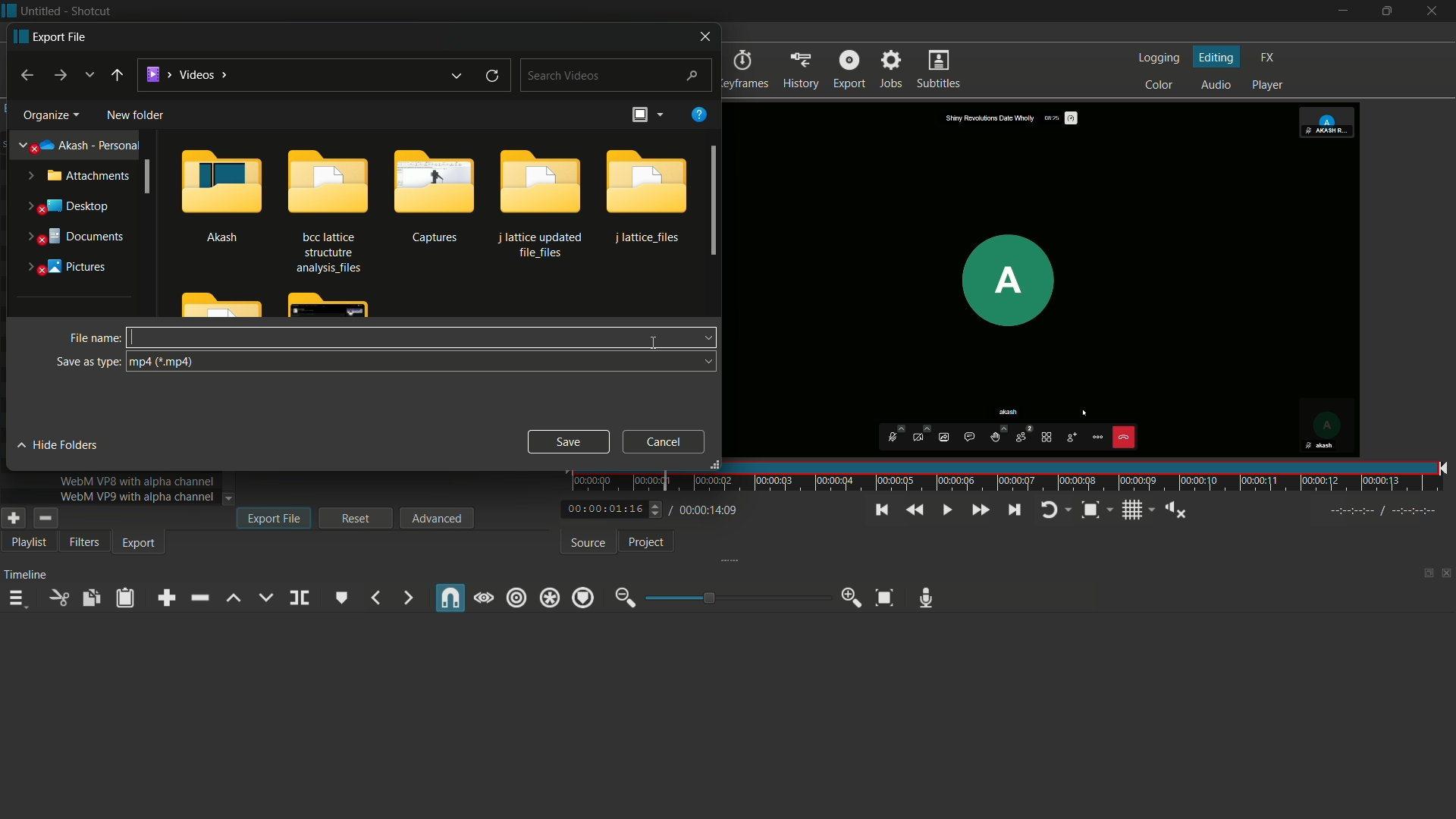  What do you see at coordinates (551, 598) in the screenshot?
I see `ripple all tracks` at bounding box center [551, 598].